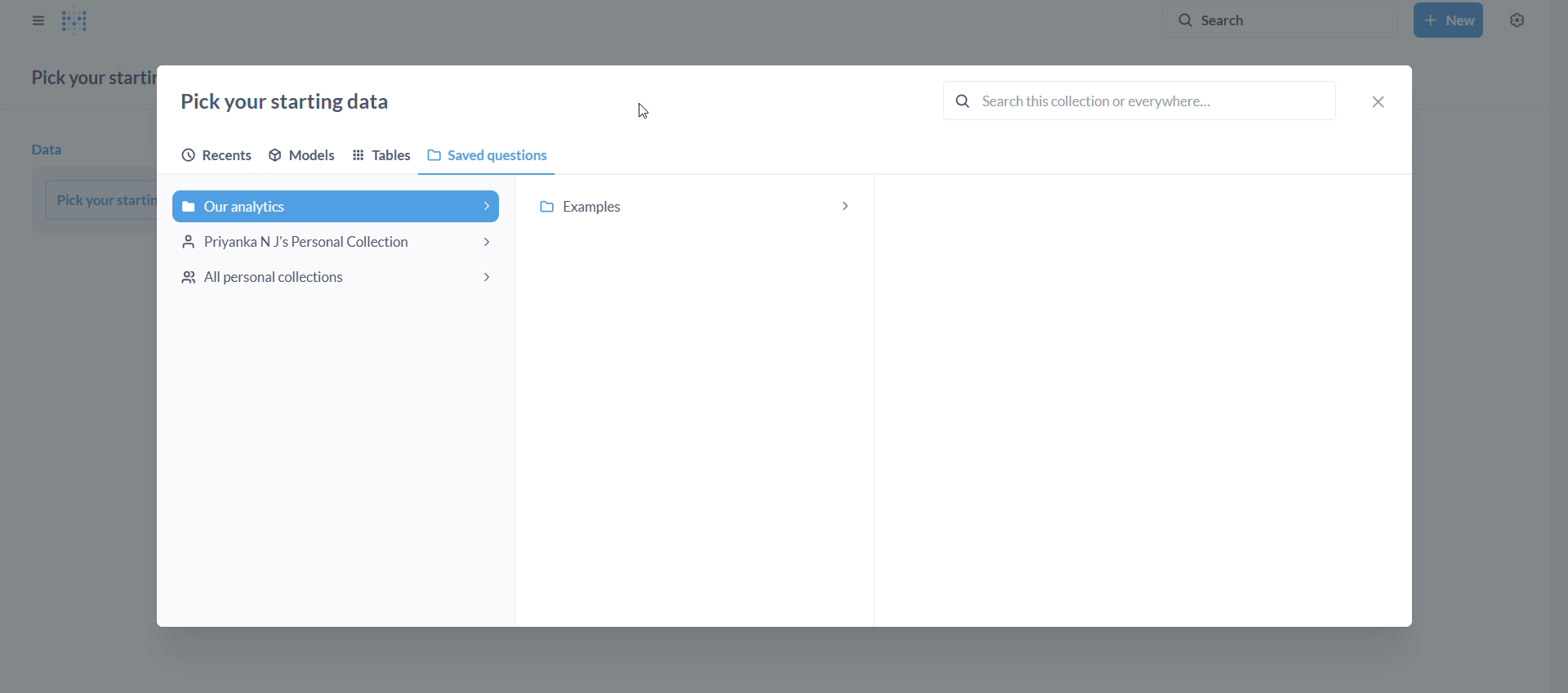 Image resolution: width=1568 pixels, height=693 pixels. Describe the element at coordinates (209, 156) in the screenshot. I see `recents` at that location.